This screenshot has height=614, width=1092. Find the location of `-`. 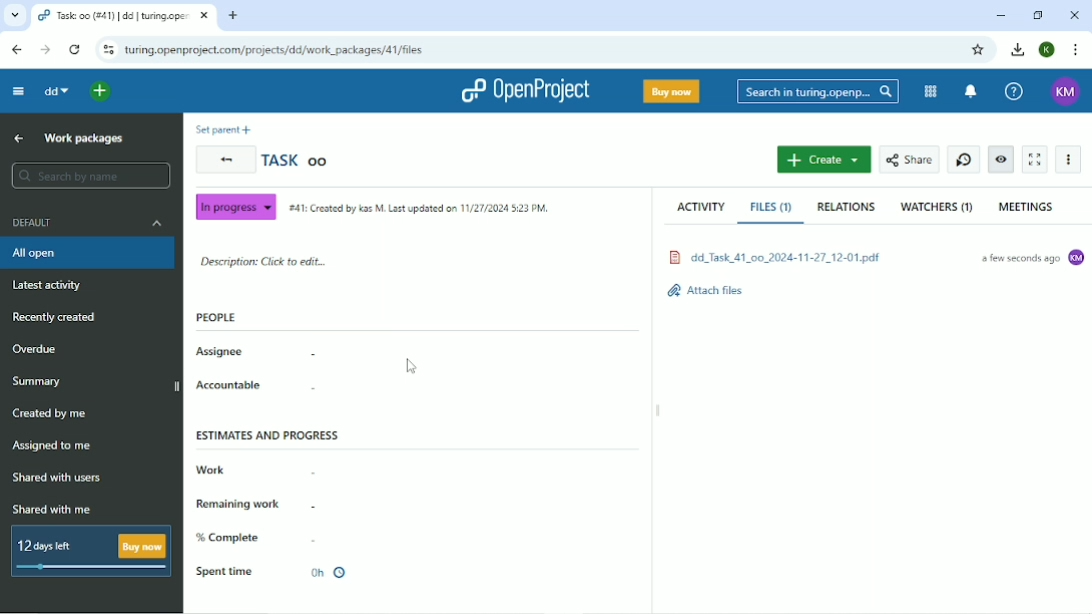

- is located at coordinates (315, 538).